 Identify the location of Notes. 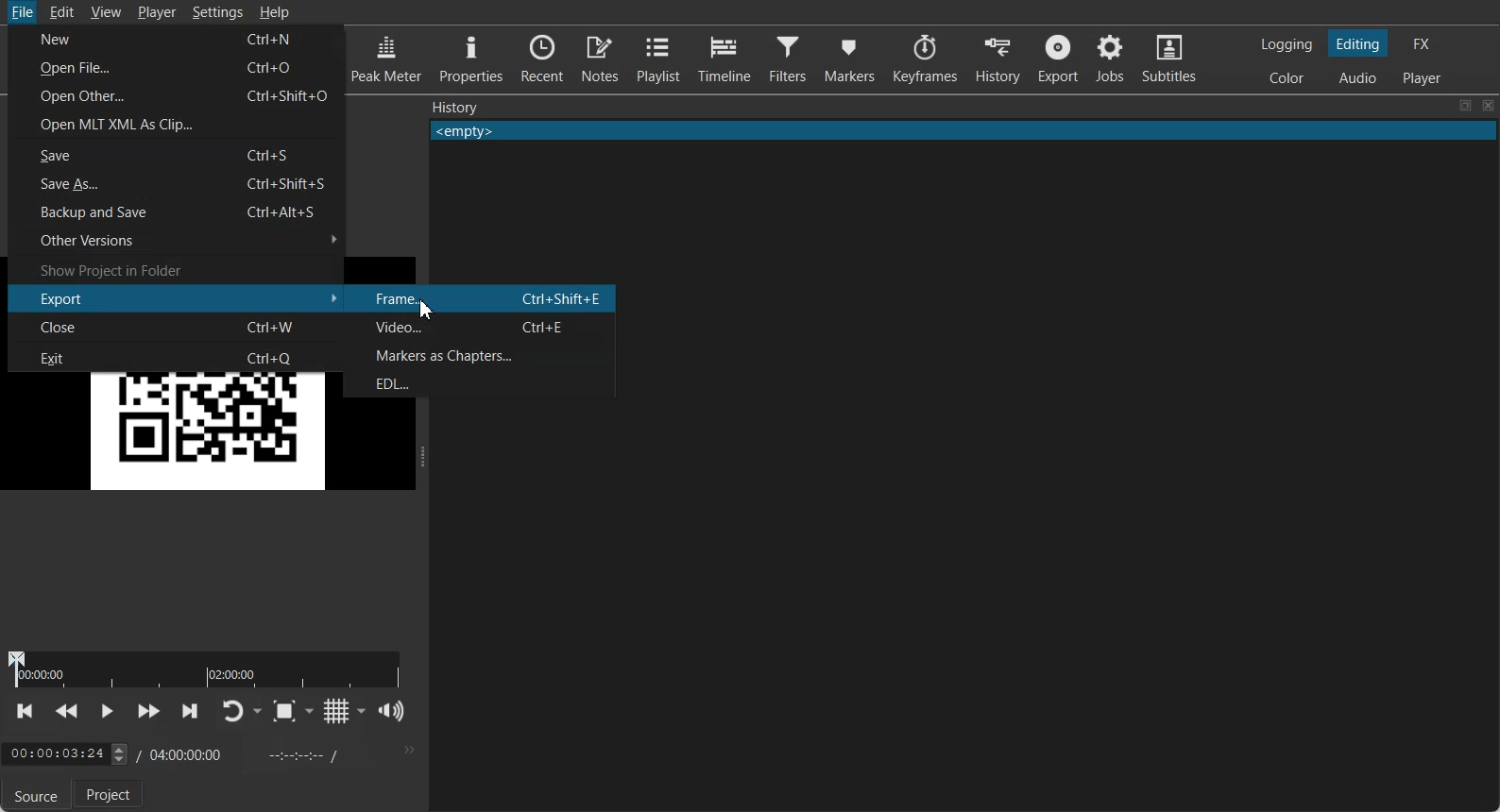
(600, 58).